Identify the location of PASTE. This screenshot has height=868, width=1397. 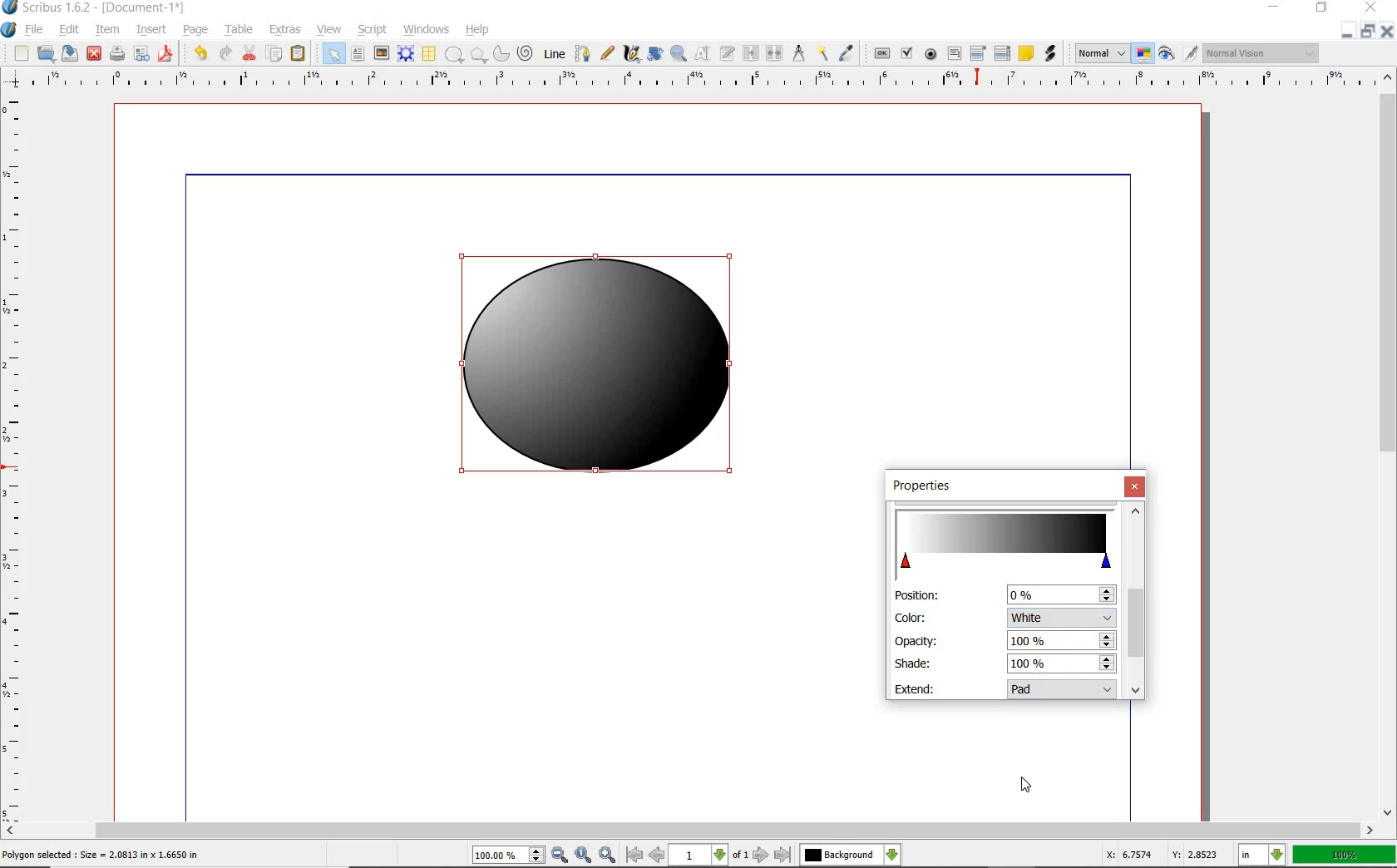
(298, 55).